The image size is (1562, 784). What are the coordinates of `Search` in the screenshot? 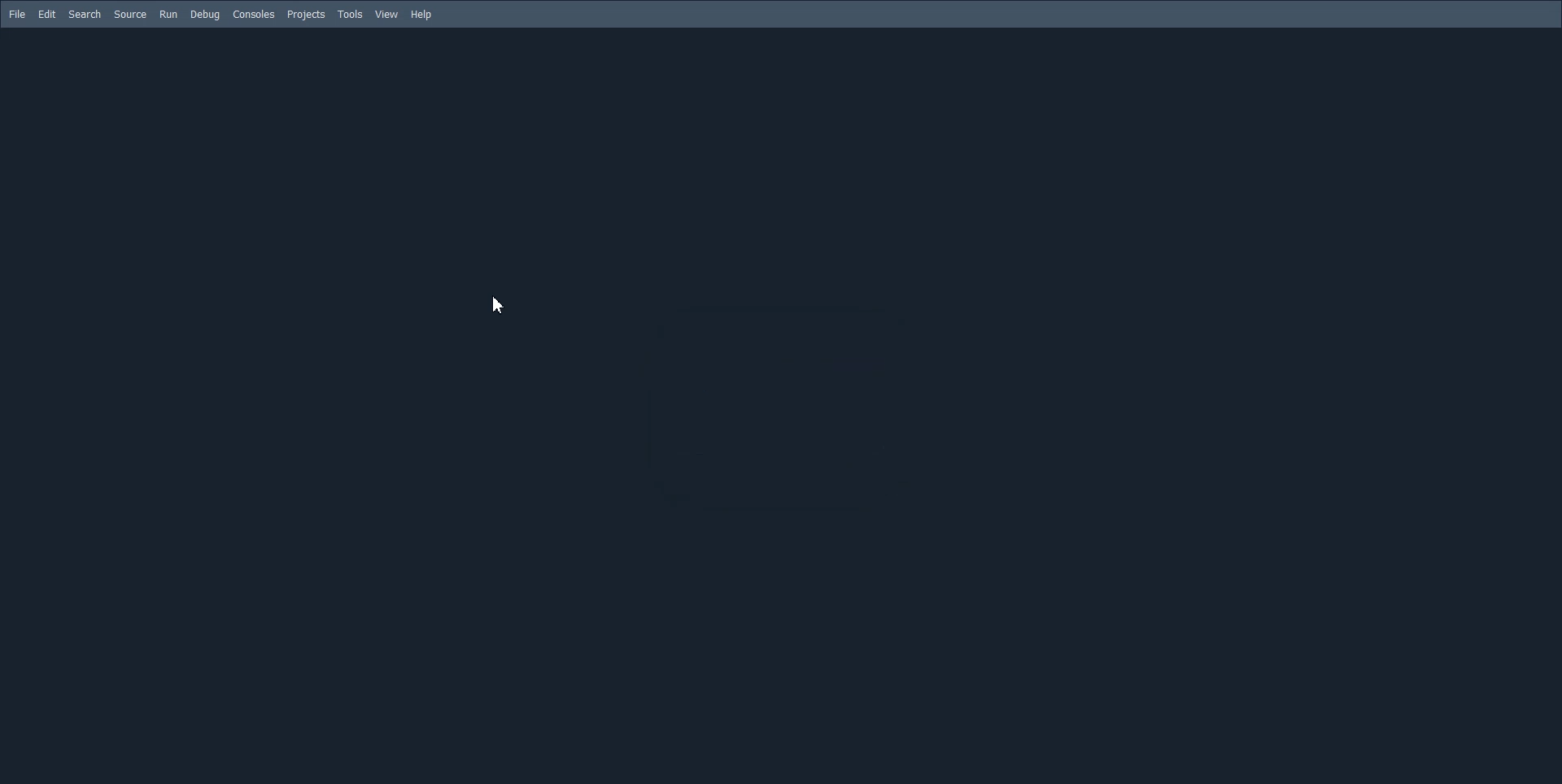 It's located at (85, 14).